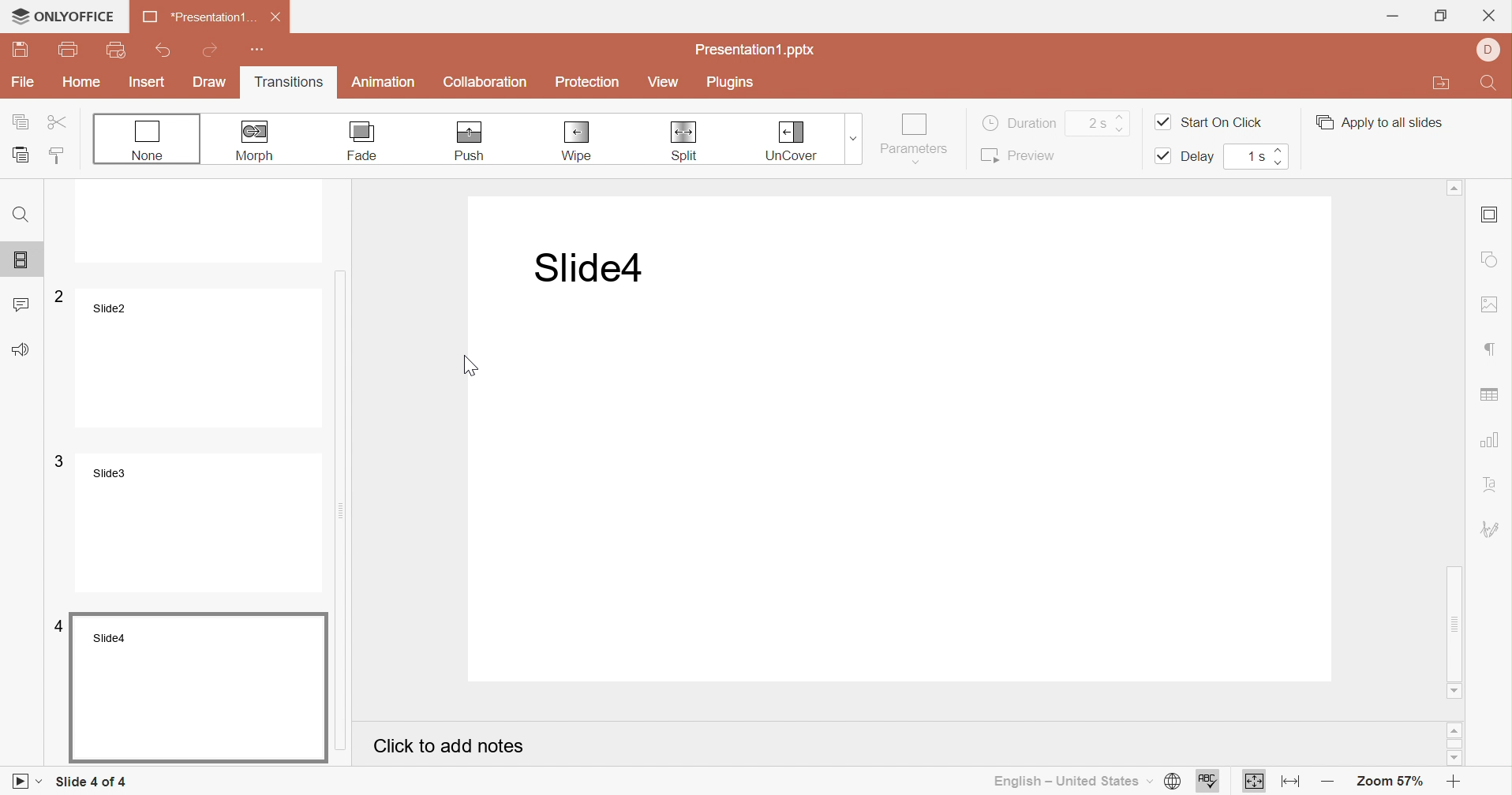 The width and height of the screenshot is (1512, 795). What do you see at coordinates (1492, 440) in the screenshot?
I see `Insert chart` at bounding box center [1492, 440].